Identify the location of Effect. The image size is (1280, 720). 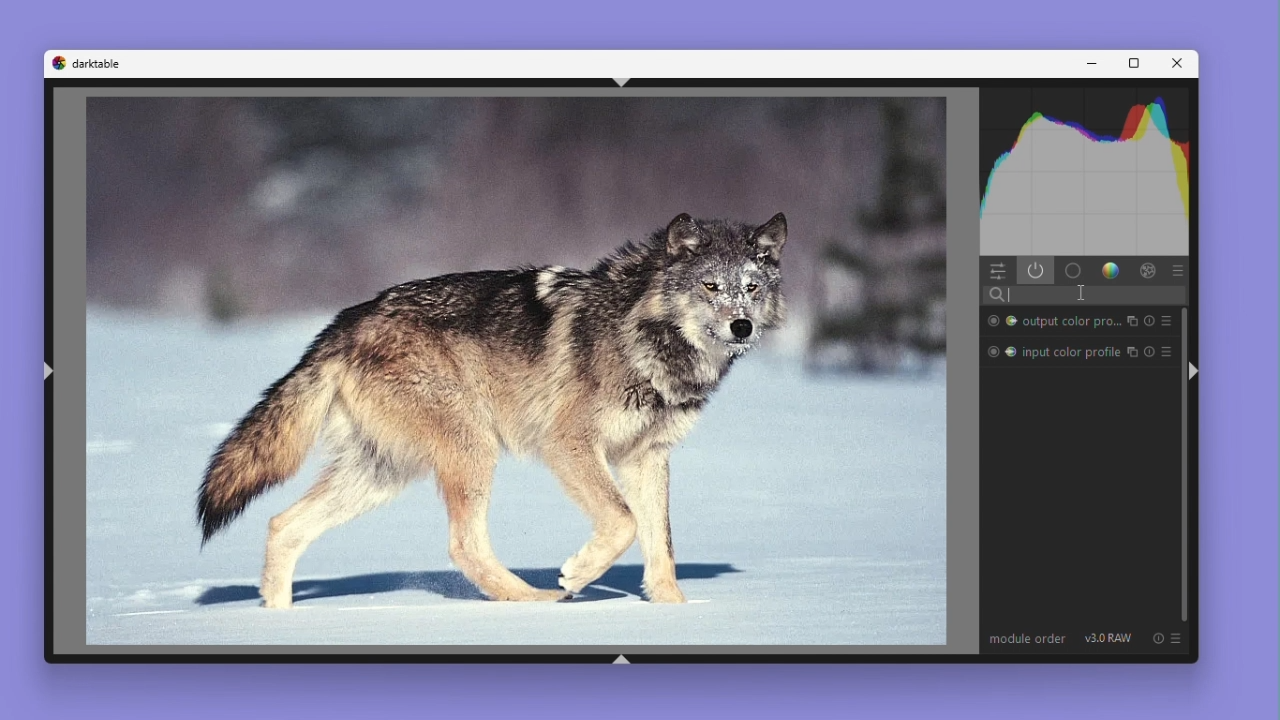
(1147, 269).